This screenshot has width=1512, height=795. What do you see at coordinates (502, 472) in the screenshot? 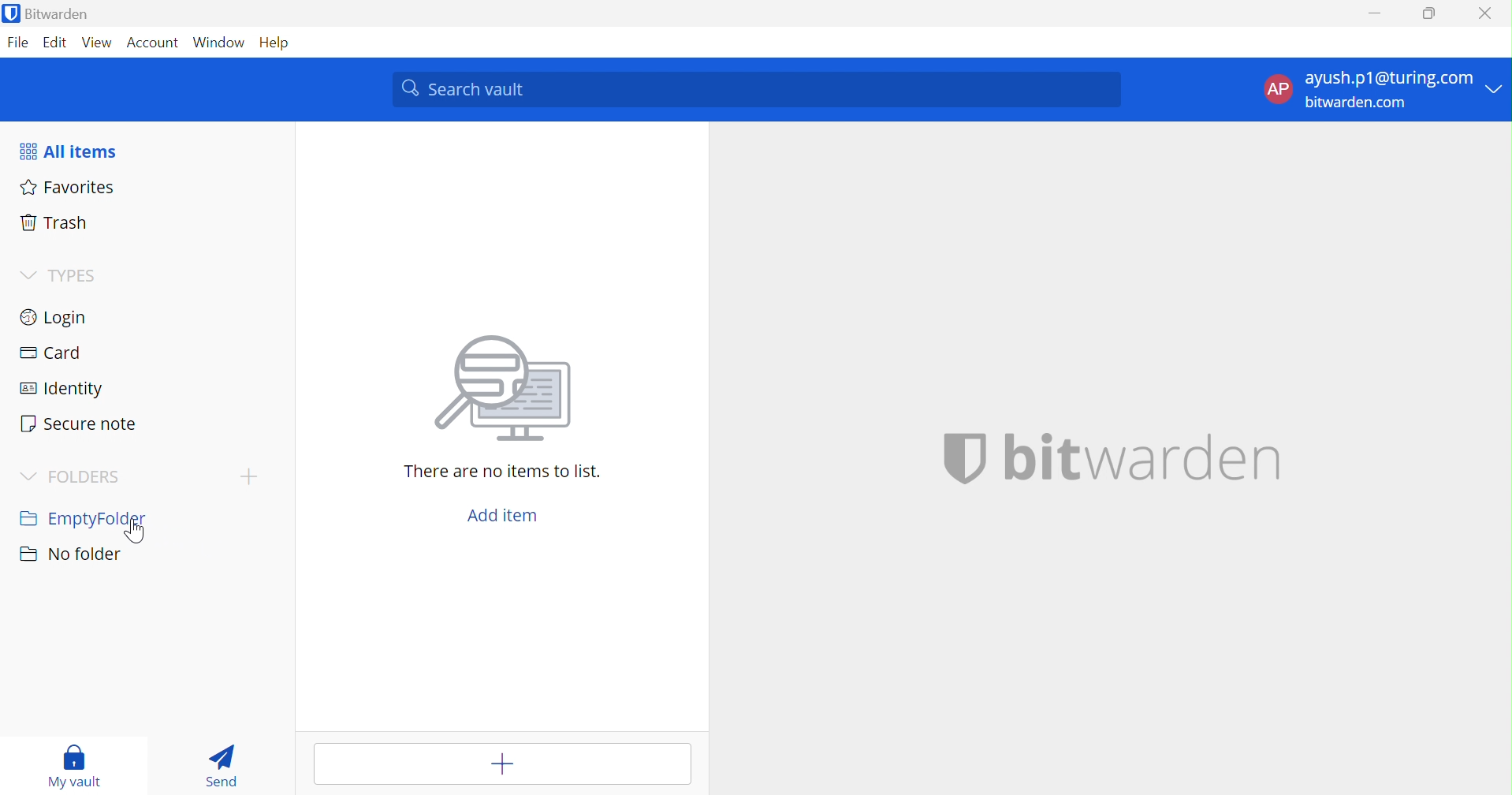
I see `There are no items to list.` at bounding box center [502, 472].